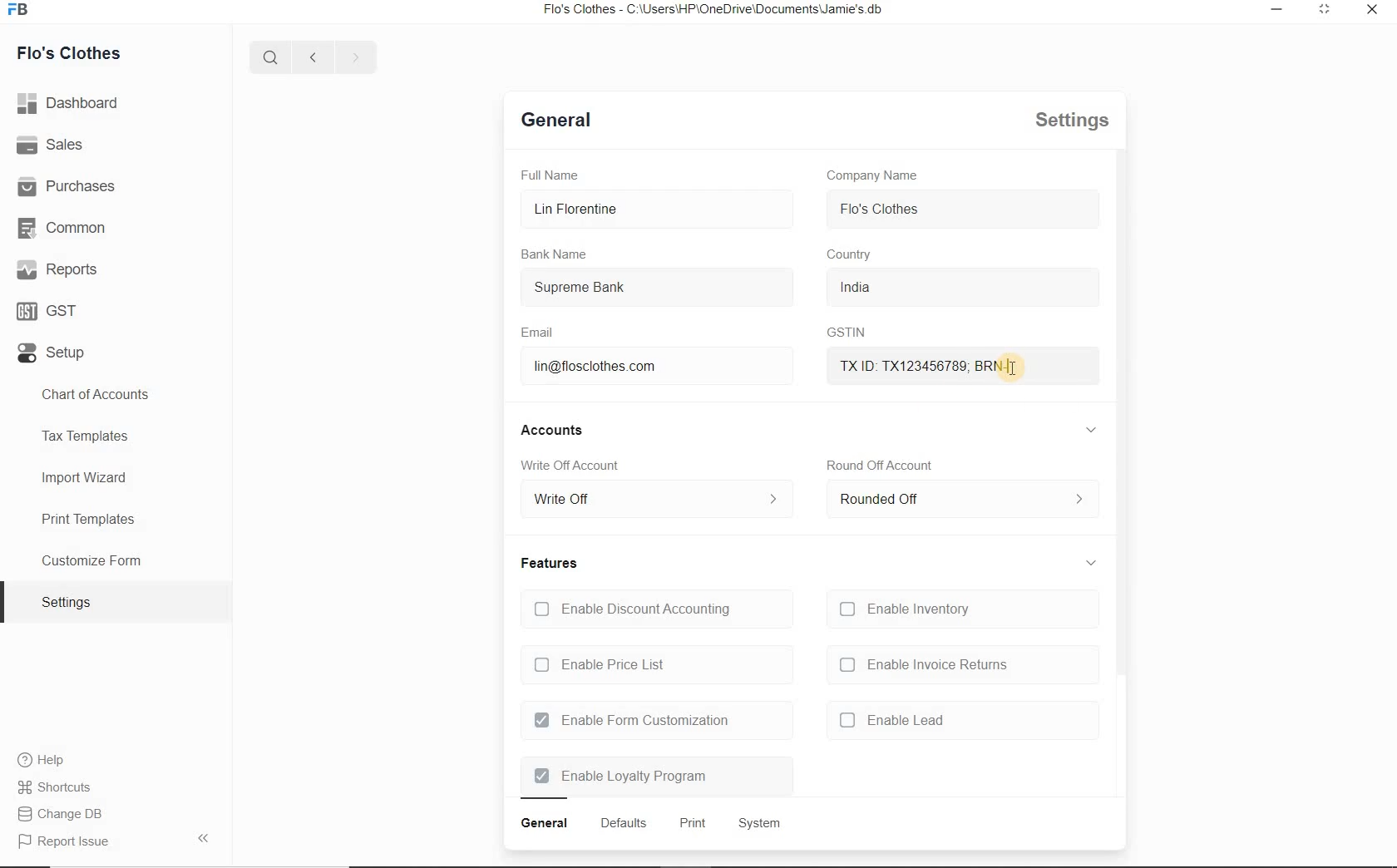  What do you see at coordinates (541, 333) in the screenshot?
I see `Email` at bounding box center [541, 333].